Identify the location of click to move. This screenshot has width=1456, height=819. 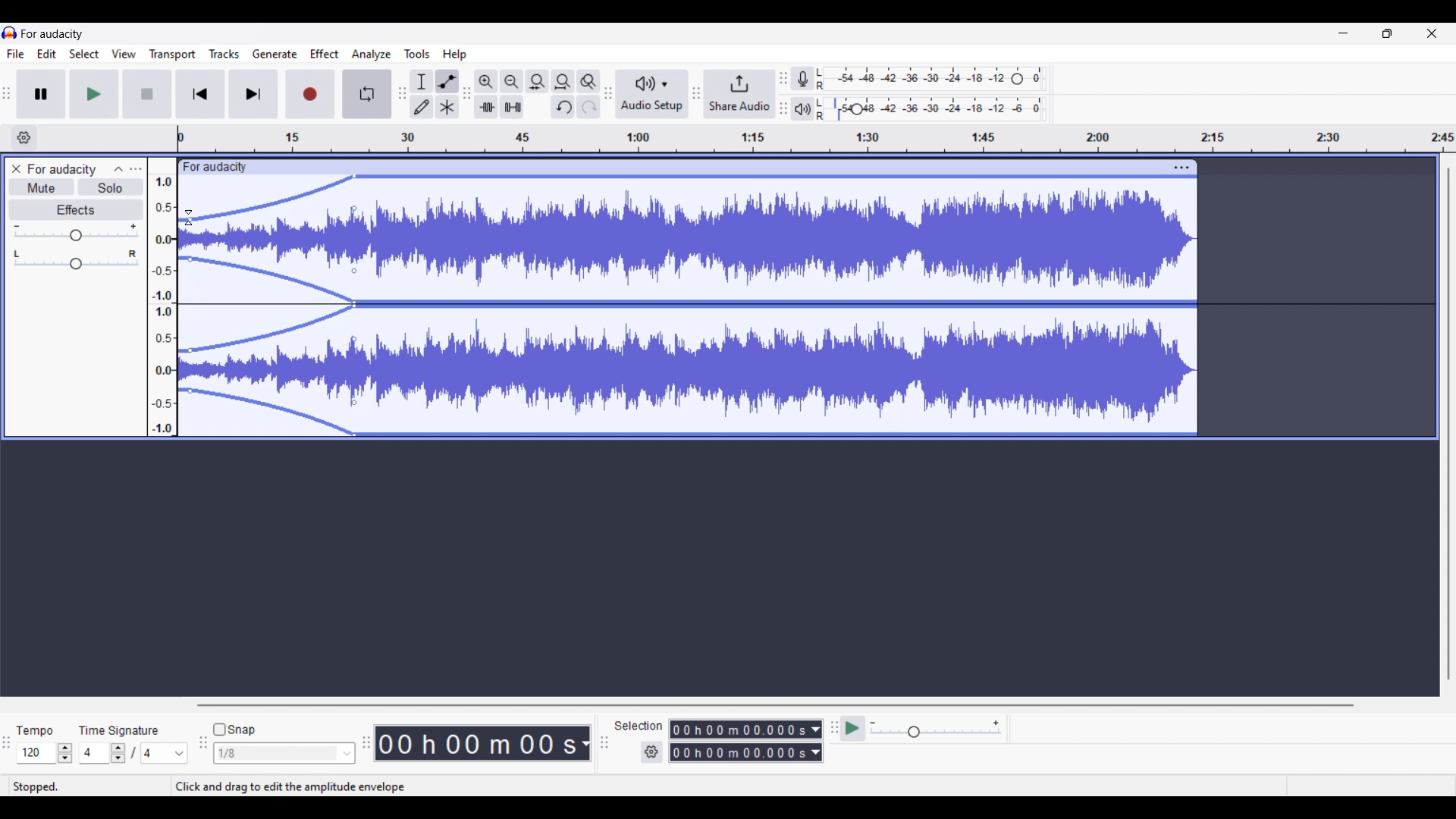
(710, 167).